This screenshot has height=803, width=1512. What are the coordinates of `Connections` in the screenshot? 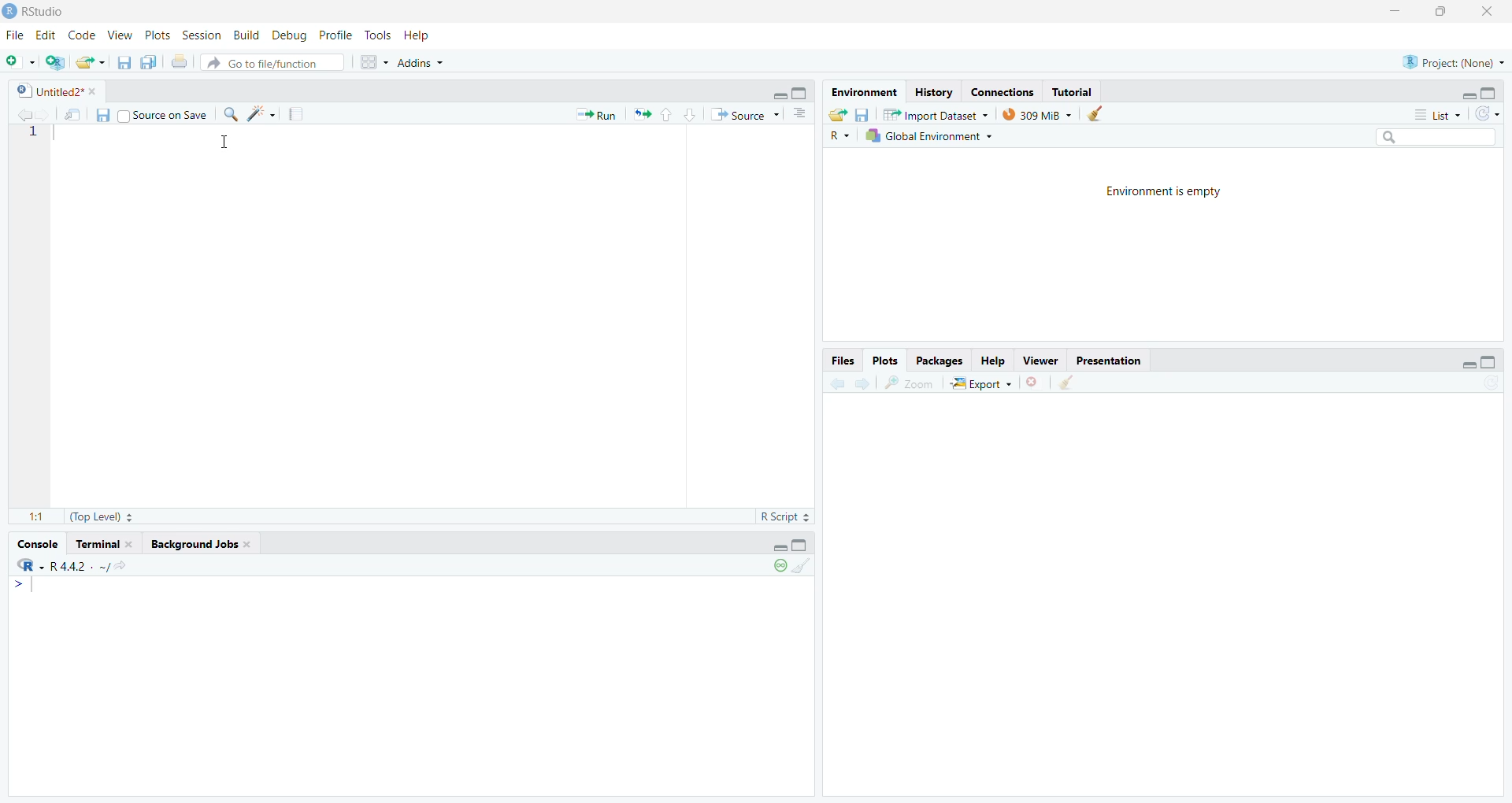 It's located at (1004, 91).